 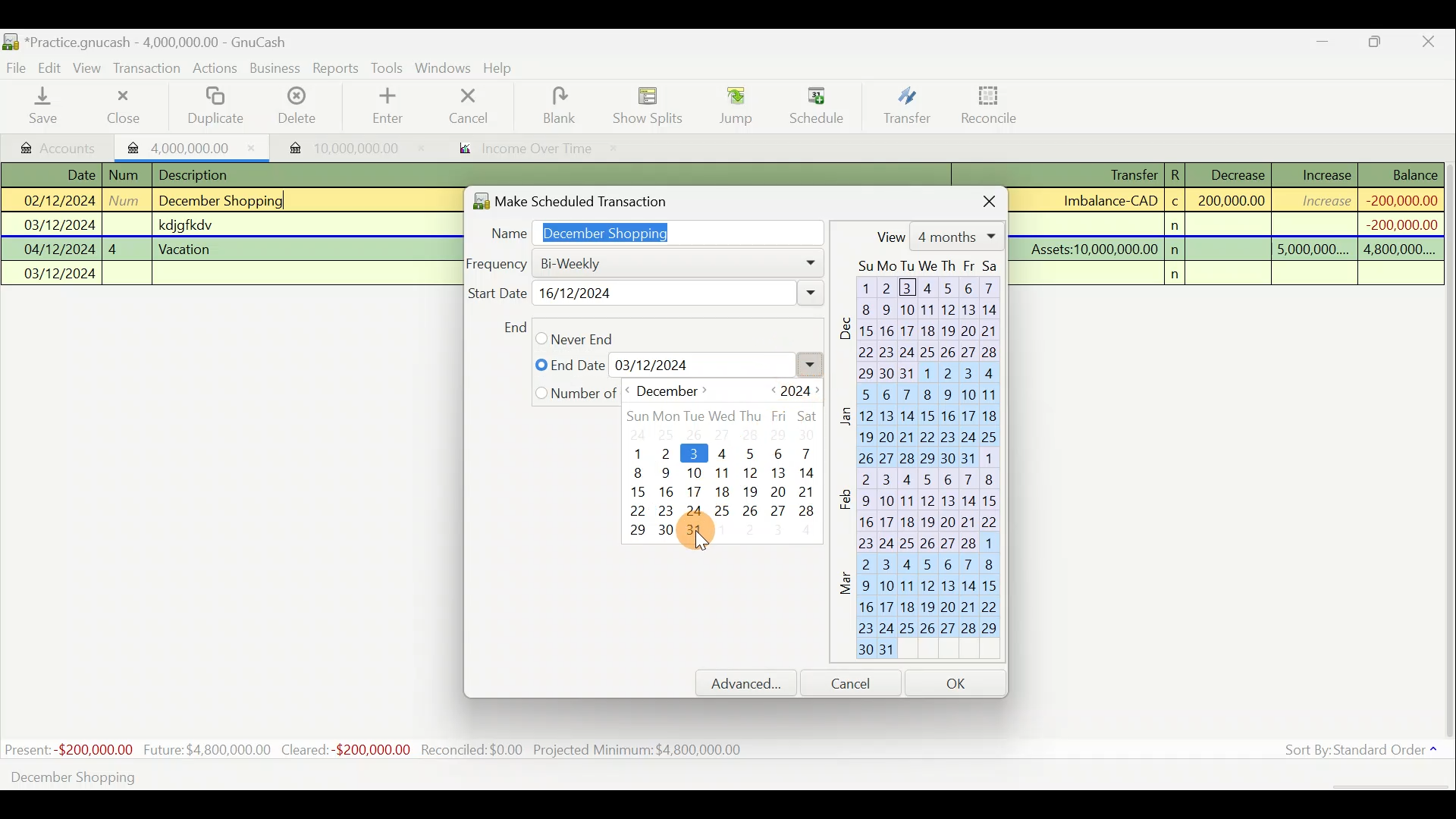 I want to click on Reports, so click(x=336, y=68).